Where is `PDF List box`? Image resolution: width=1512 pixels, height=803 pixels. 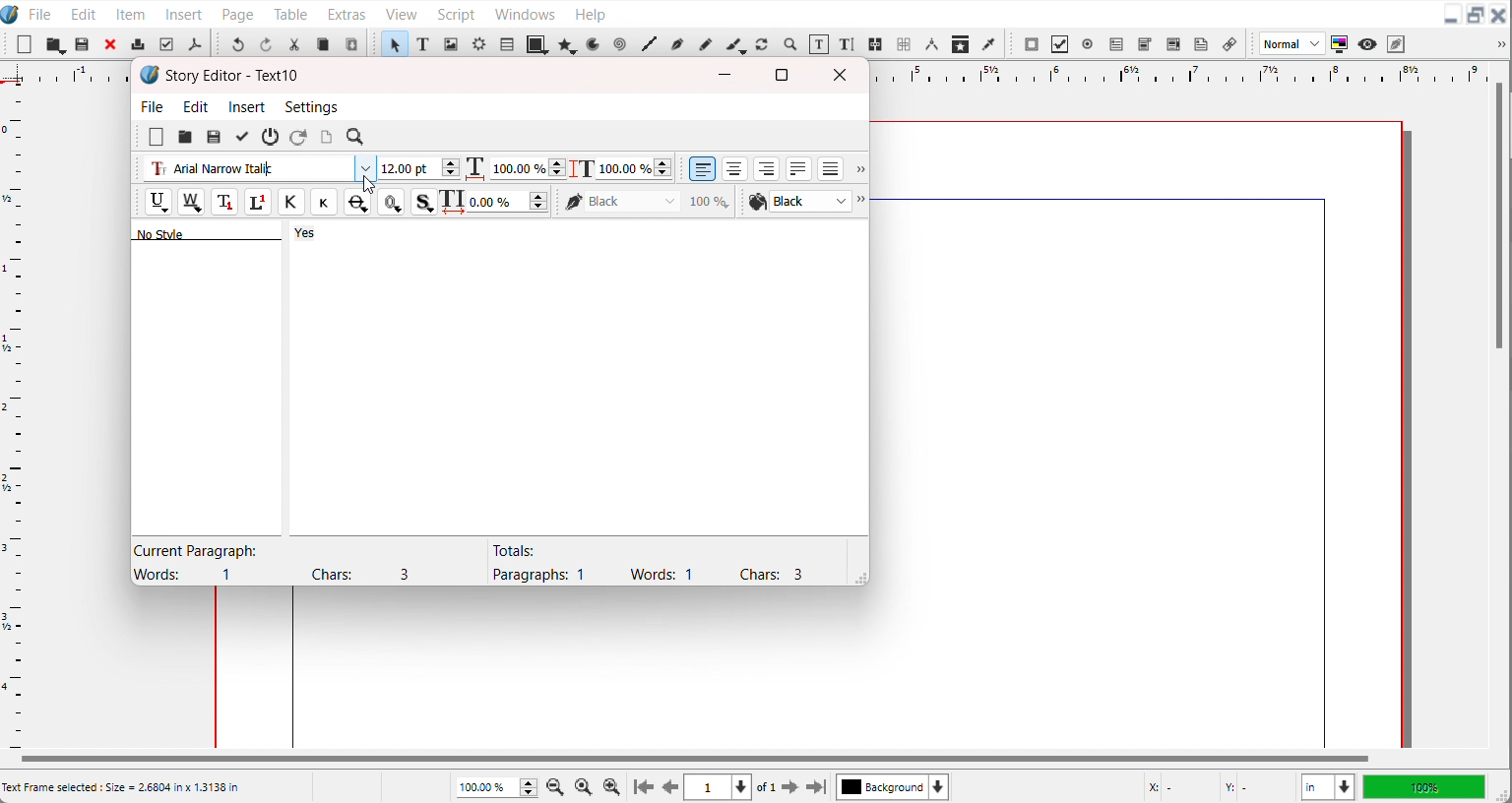
PDF List box is located at coordinates (1174, 44).